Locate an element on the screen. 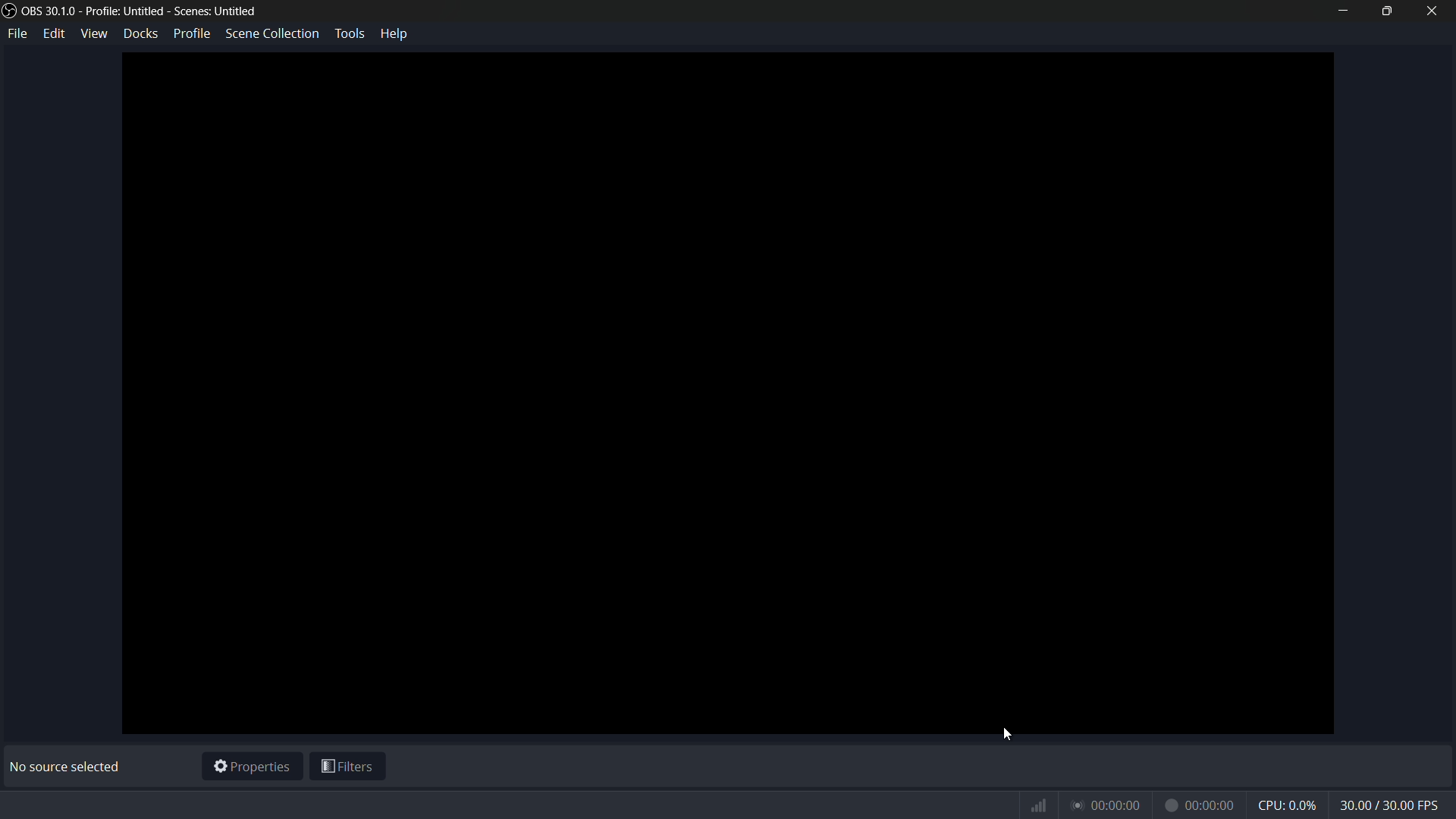 This screenshot has width=1456, height=819. No source selected is located at coordinates (69, 767).